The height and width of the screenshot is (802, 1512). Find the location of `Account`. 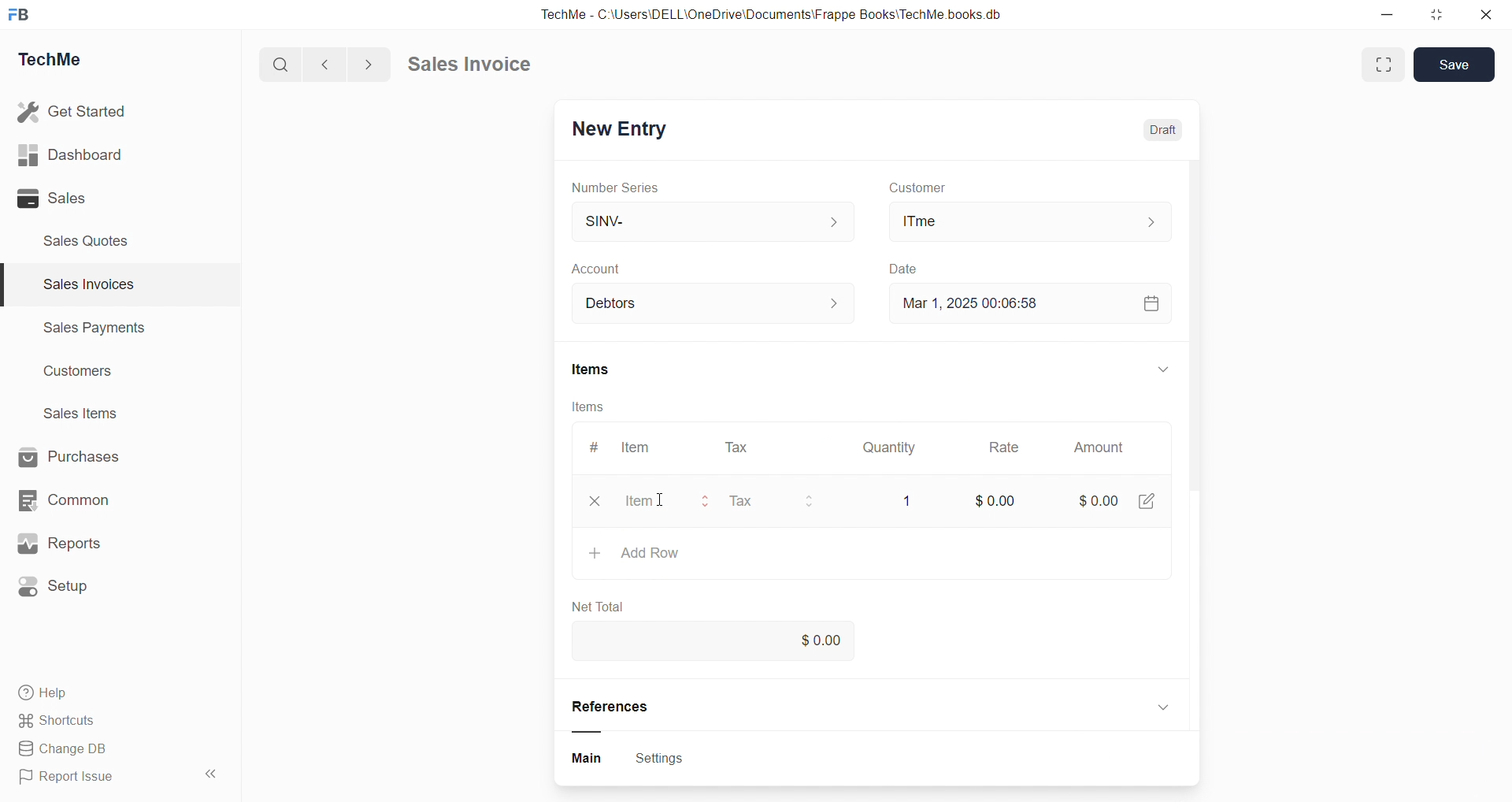

Account is located at coordinates (621, 270).